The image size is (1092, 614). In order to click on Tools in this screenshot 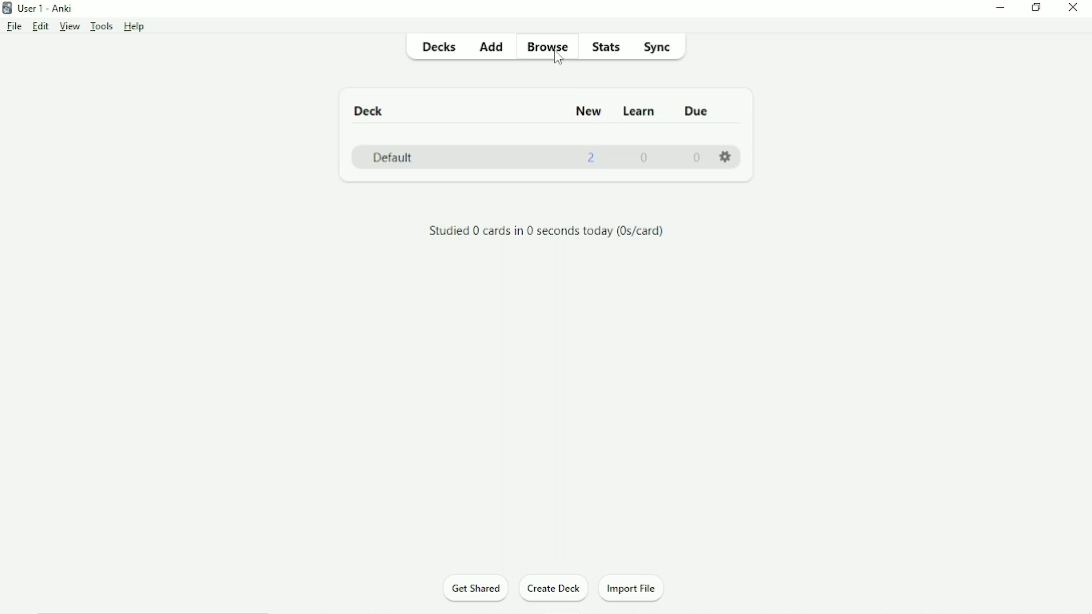, I will do `click(101, 27)`.